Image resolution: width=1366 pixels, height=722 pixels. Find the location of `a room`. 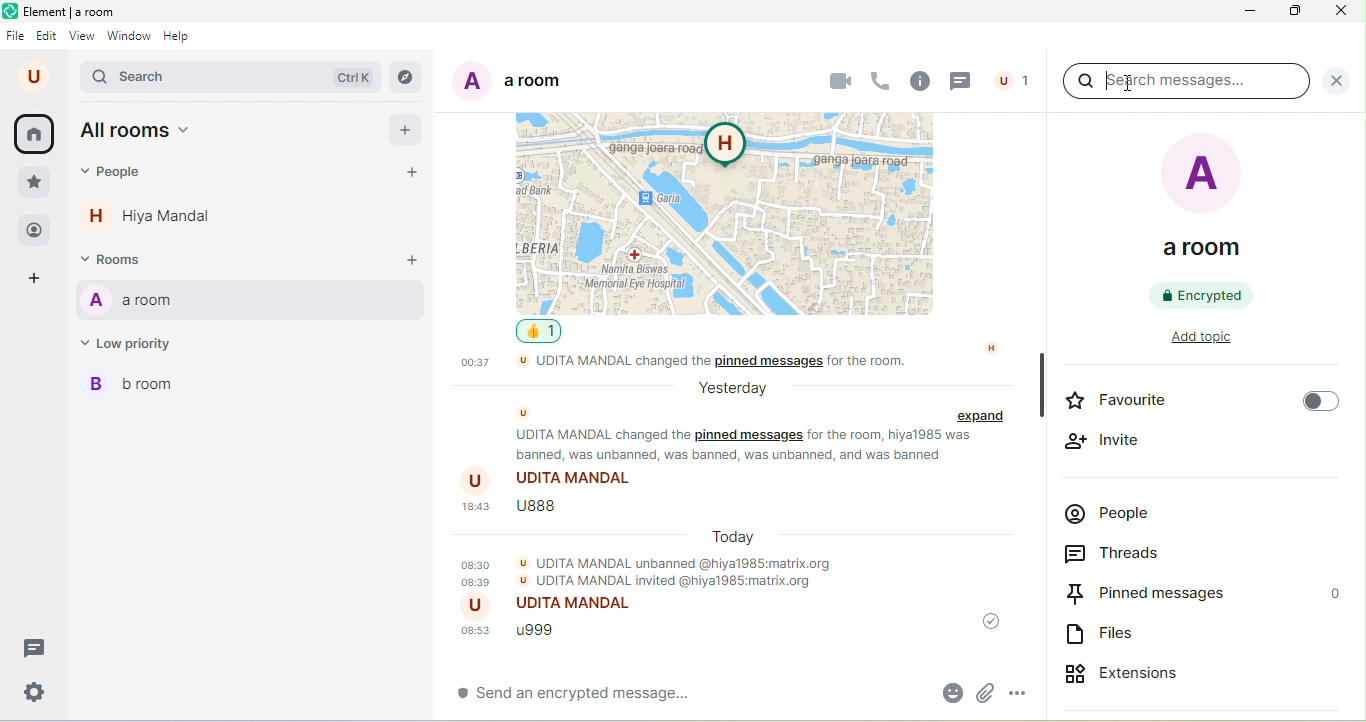

a room is located at coordinates (508, 85).